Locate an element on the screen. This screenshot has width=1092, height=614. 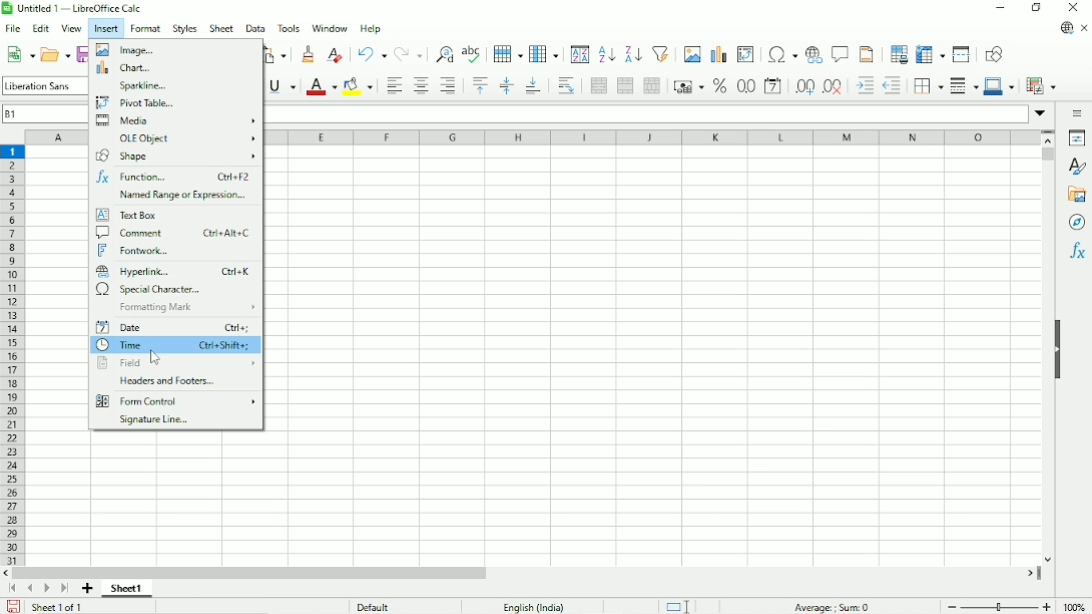
Tools is located at coordinates (287, 28).